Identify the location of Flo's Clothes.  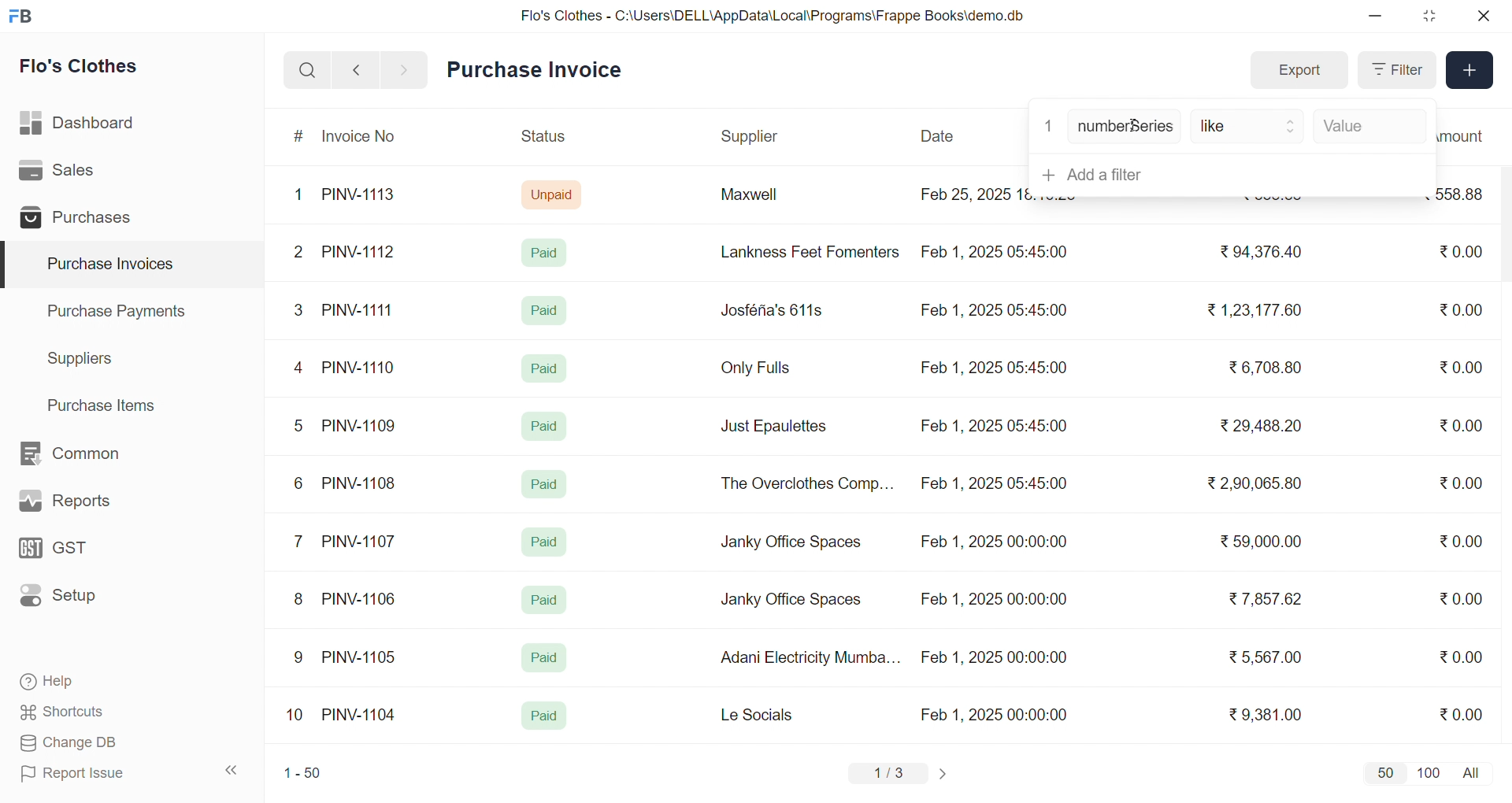
(90, 68).